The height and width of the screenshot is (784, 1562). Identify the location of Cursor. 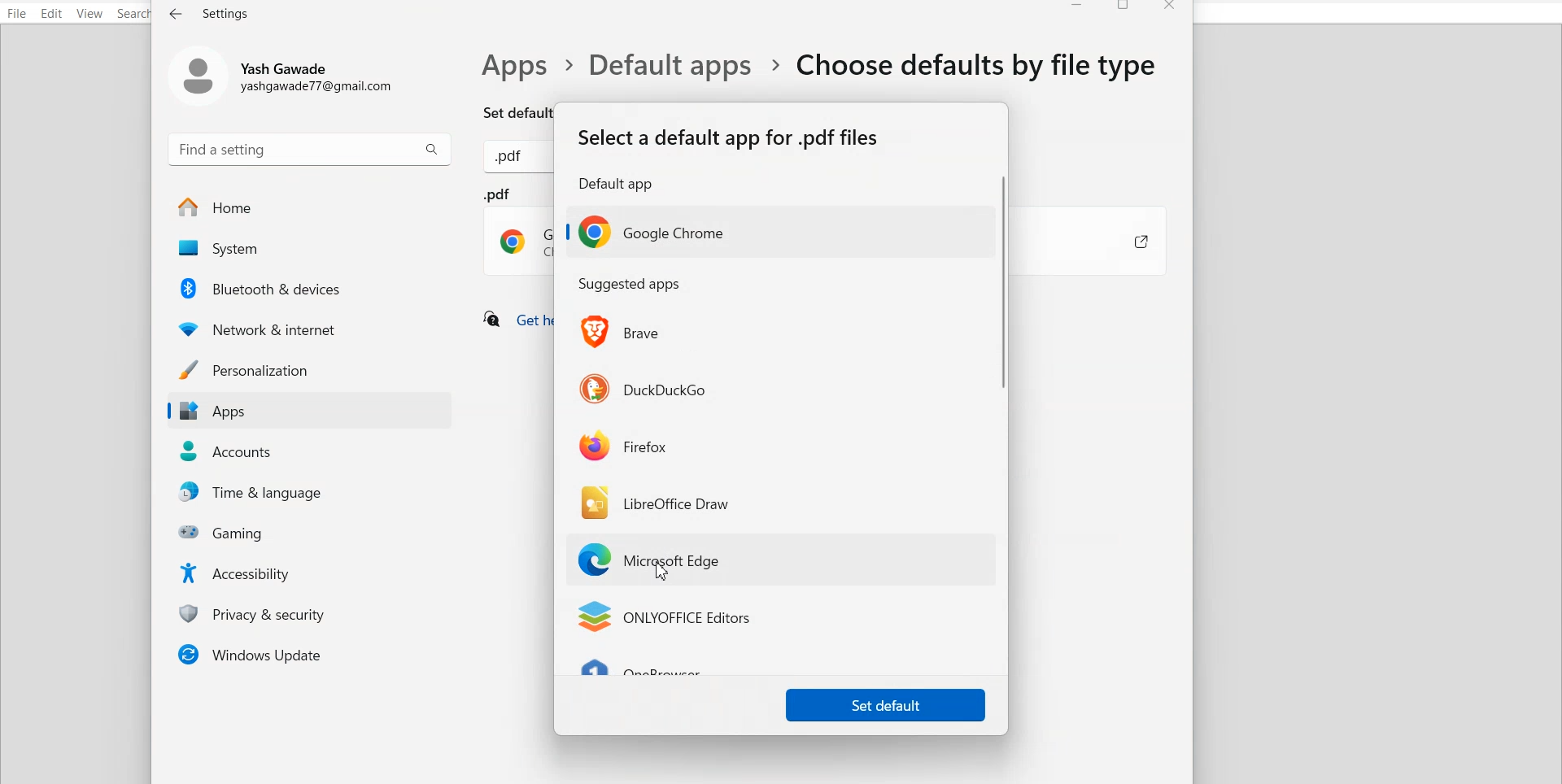
(664, 572).